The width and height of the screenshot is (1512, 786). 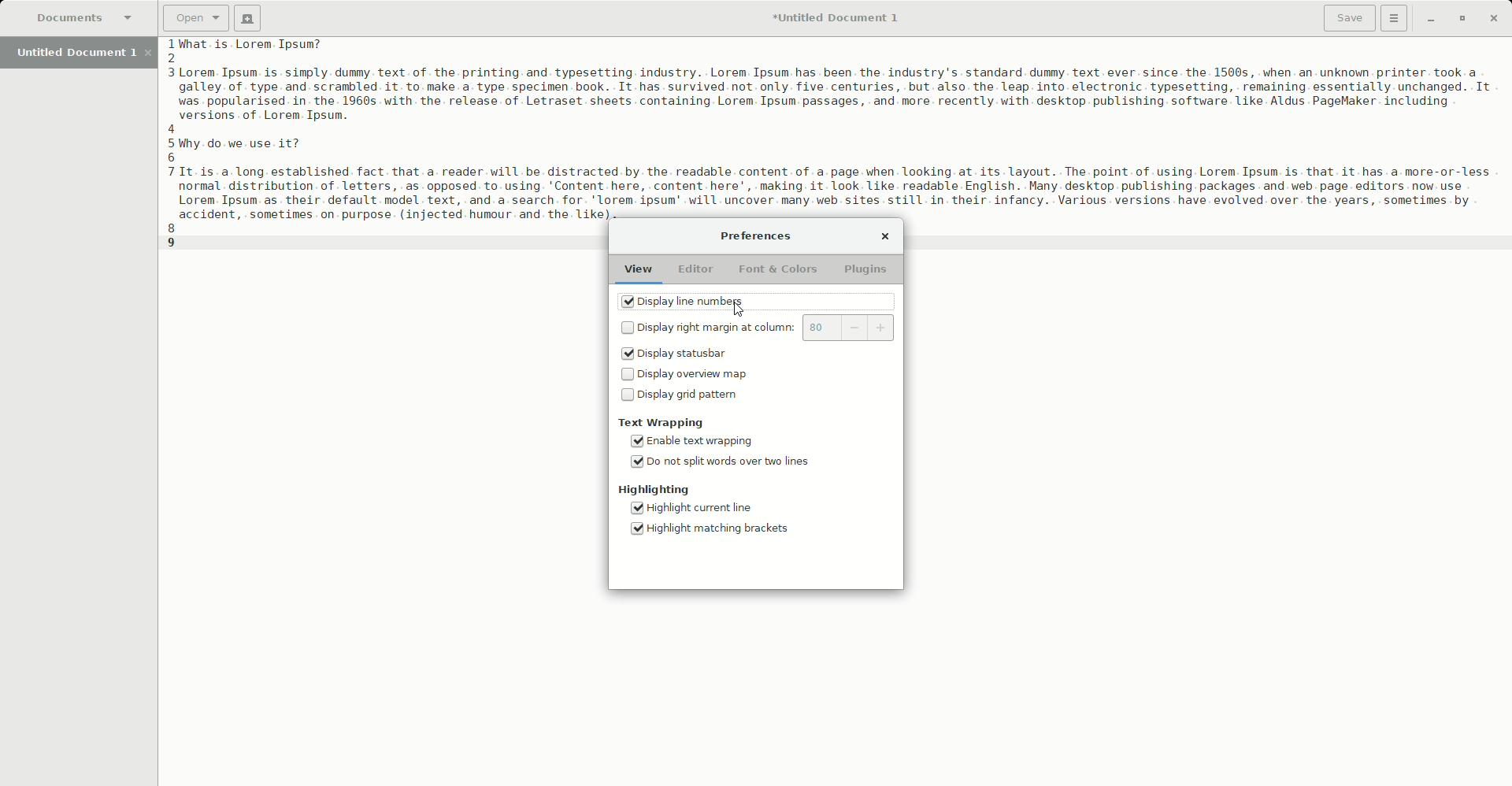 I want to click on Documents, so click(x=86, y=19).